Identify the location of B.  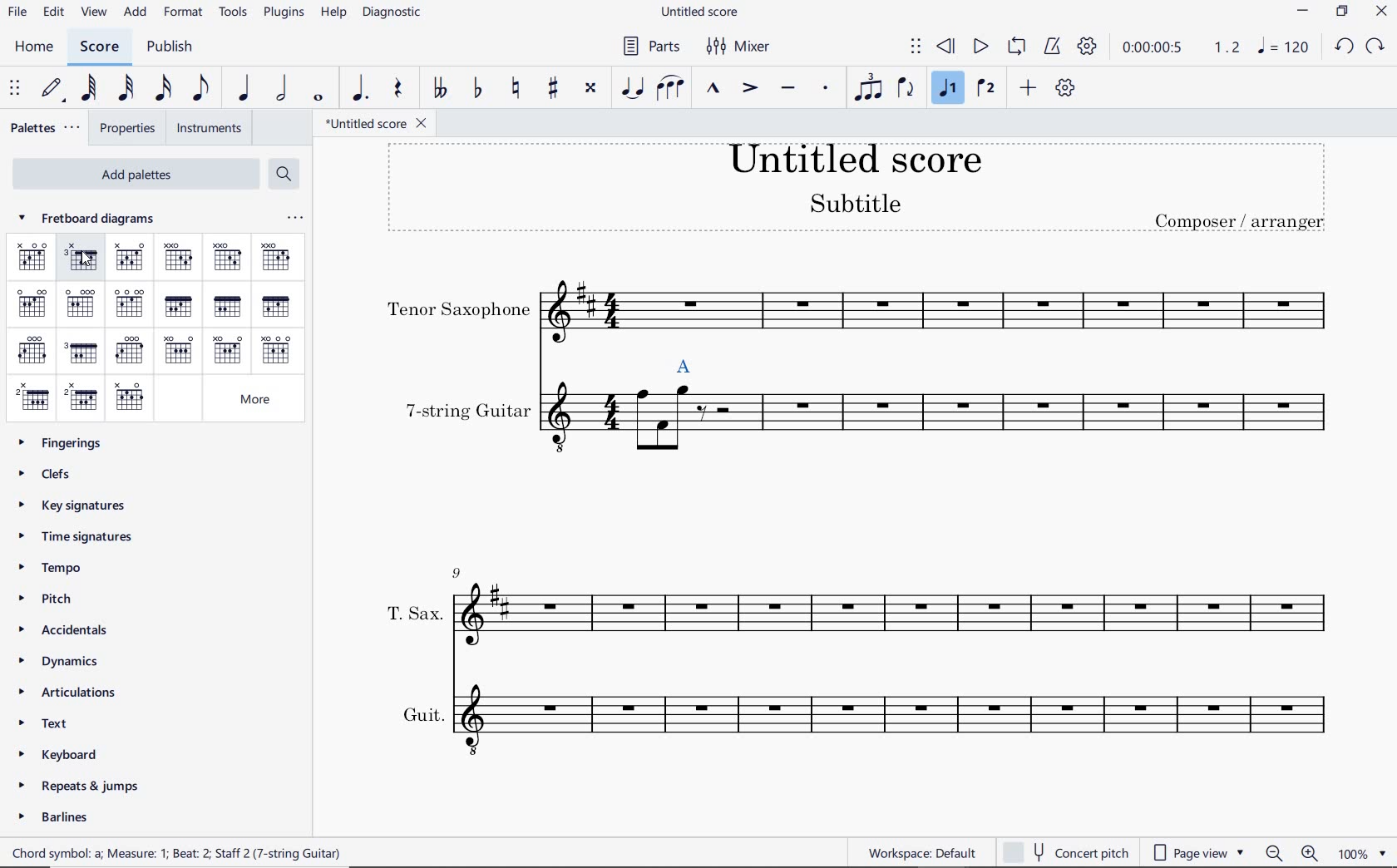
(31, 397).